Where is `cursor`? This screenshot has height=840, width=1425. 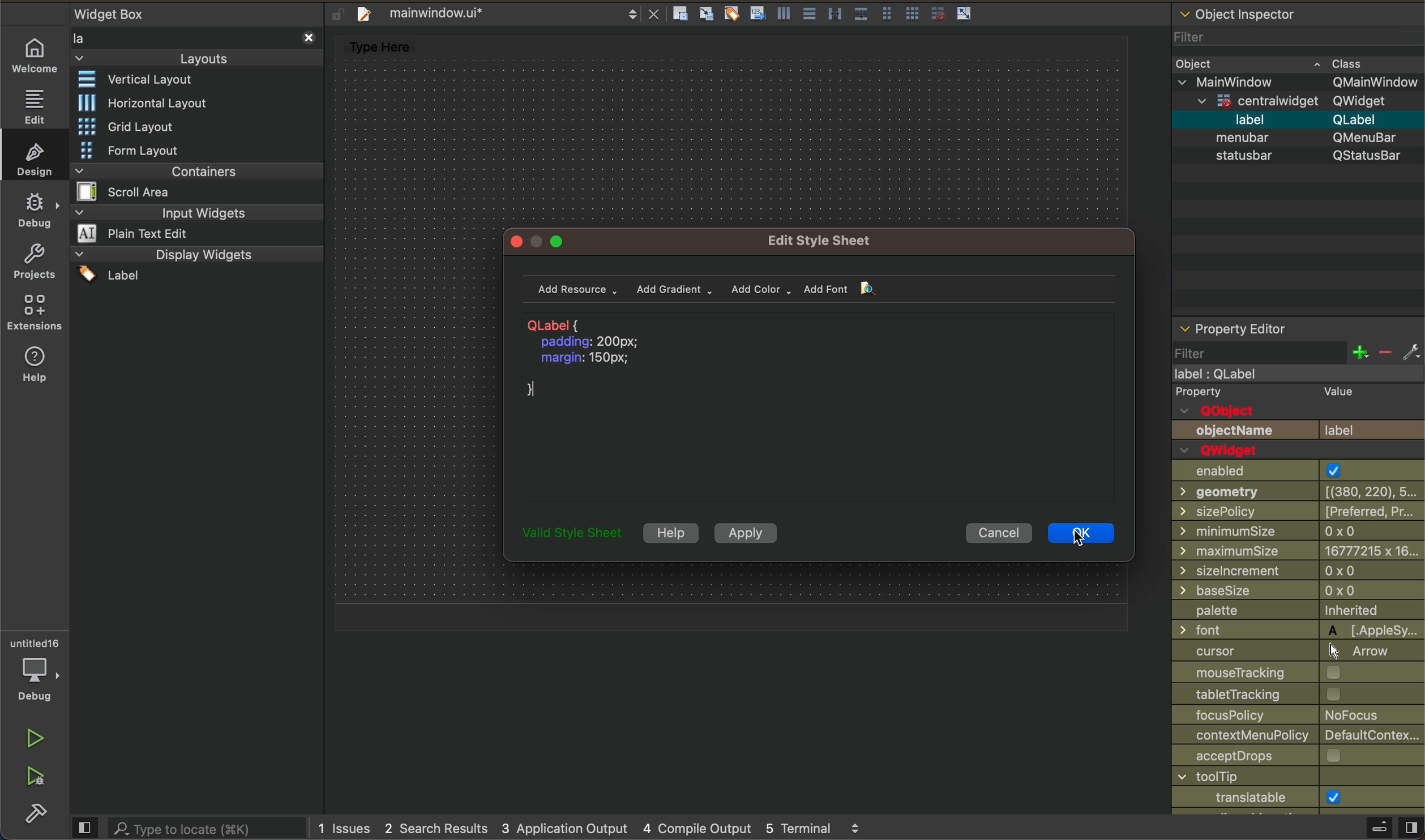
cursor is located at coordinates (1088, 528).